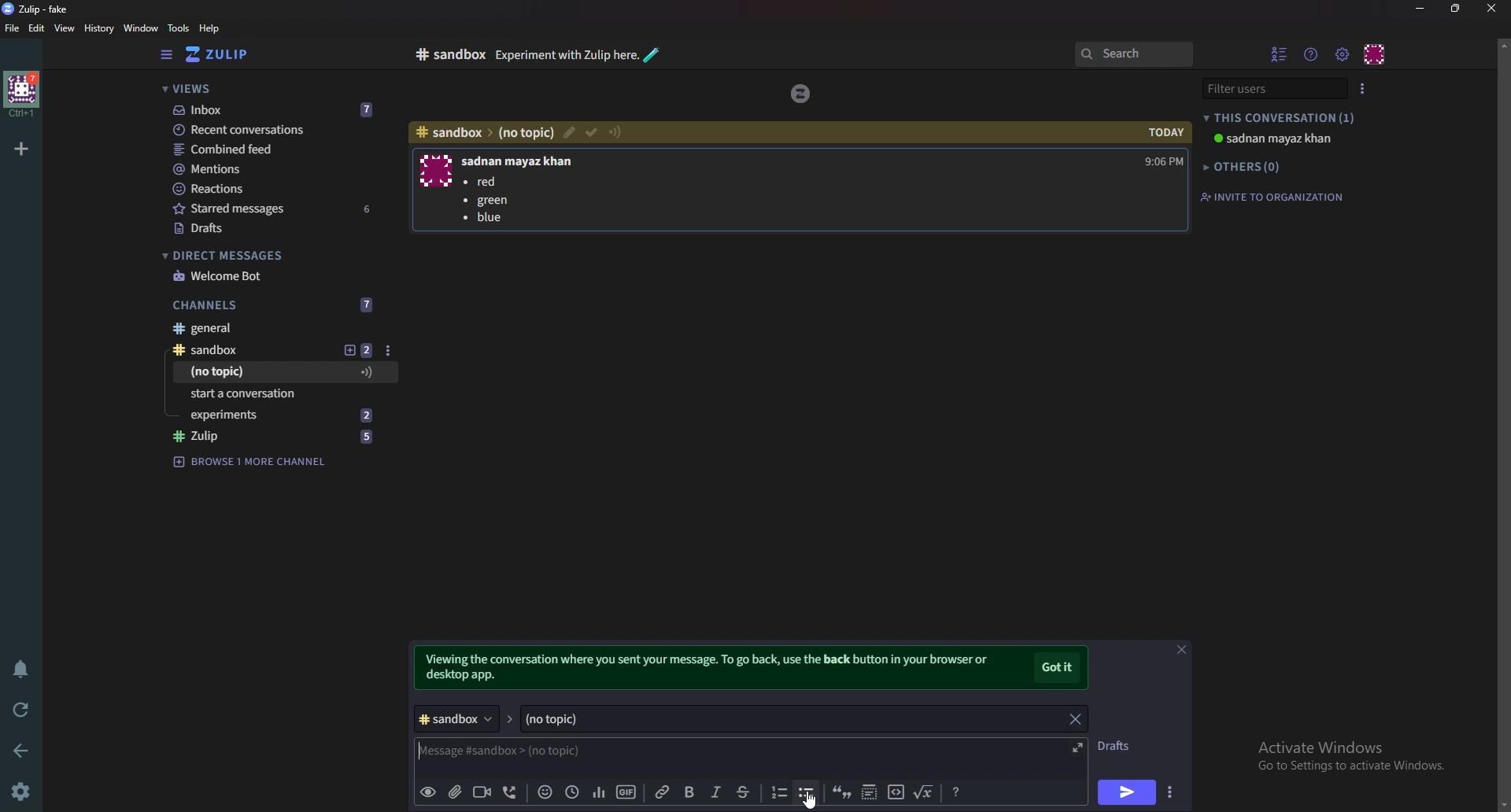  Describe the element at coordinates (253, 461) in the screenshot. I see `browse 1 more channel` at that location.